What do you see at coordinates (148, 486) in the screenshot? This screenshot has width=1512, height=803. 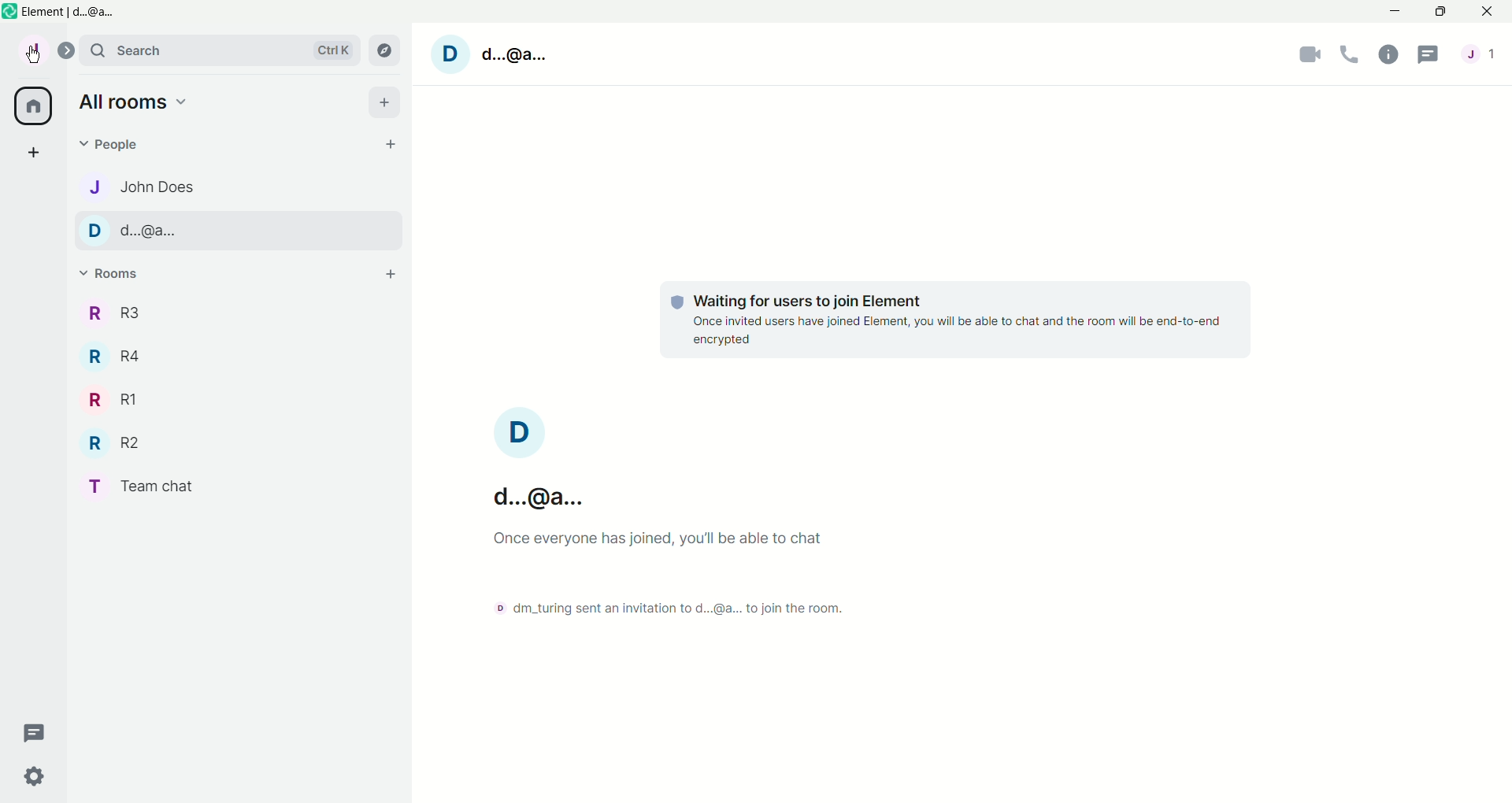 I see `Team chat - room name` at bounding box center [148, 486].